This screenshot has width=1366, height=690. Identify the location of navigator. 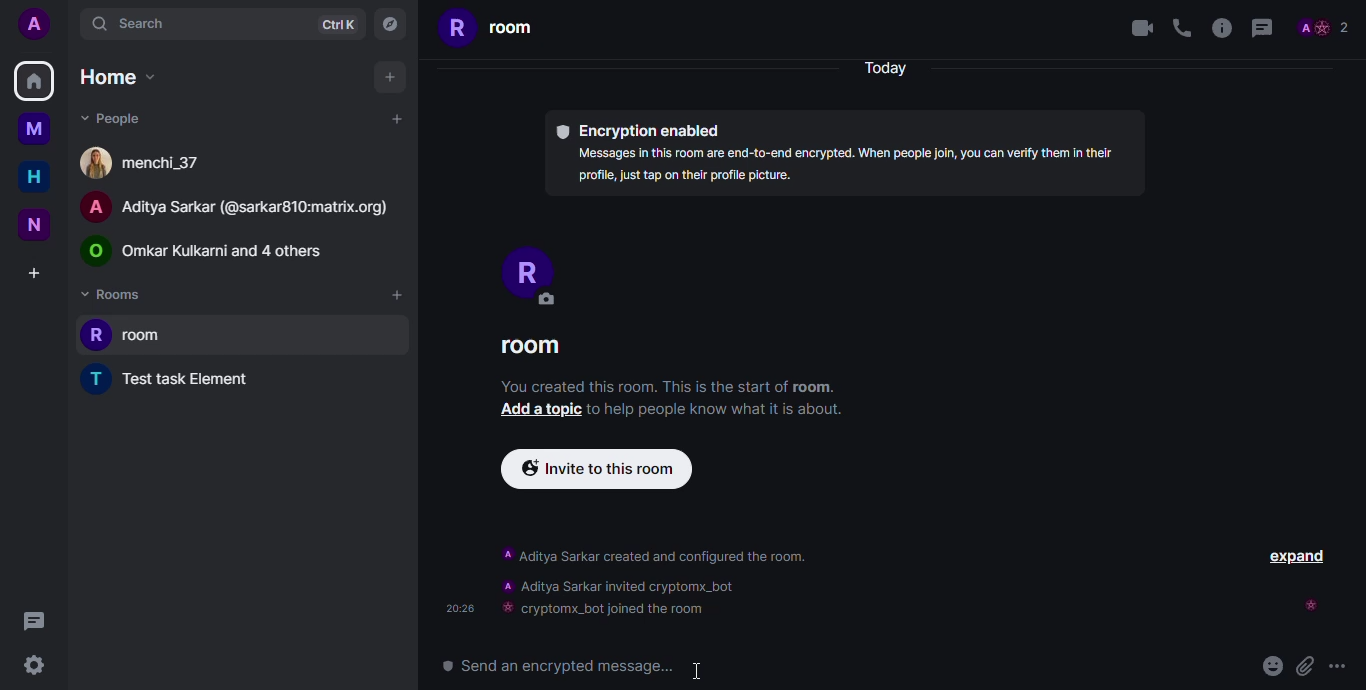
(389, 24).